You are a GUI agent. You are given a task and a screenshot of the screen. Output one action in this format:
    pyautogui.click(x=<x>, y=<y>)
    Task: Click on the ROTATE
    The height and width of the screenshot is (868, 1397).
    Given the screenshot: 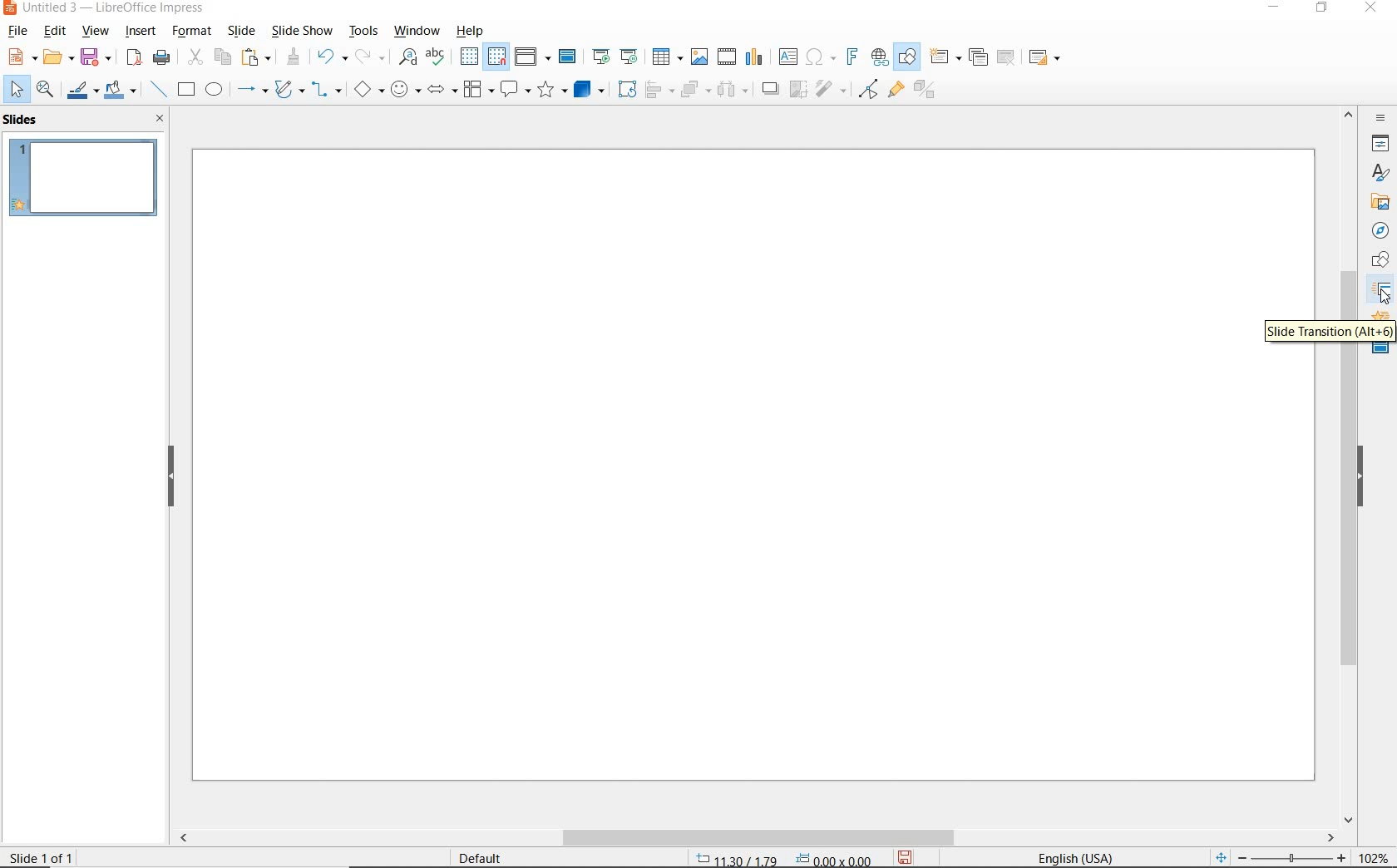 What is the action you would take?
    pyautogui.click(x=625, y=89)
    